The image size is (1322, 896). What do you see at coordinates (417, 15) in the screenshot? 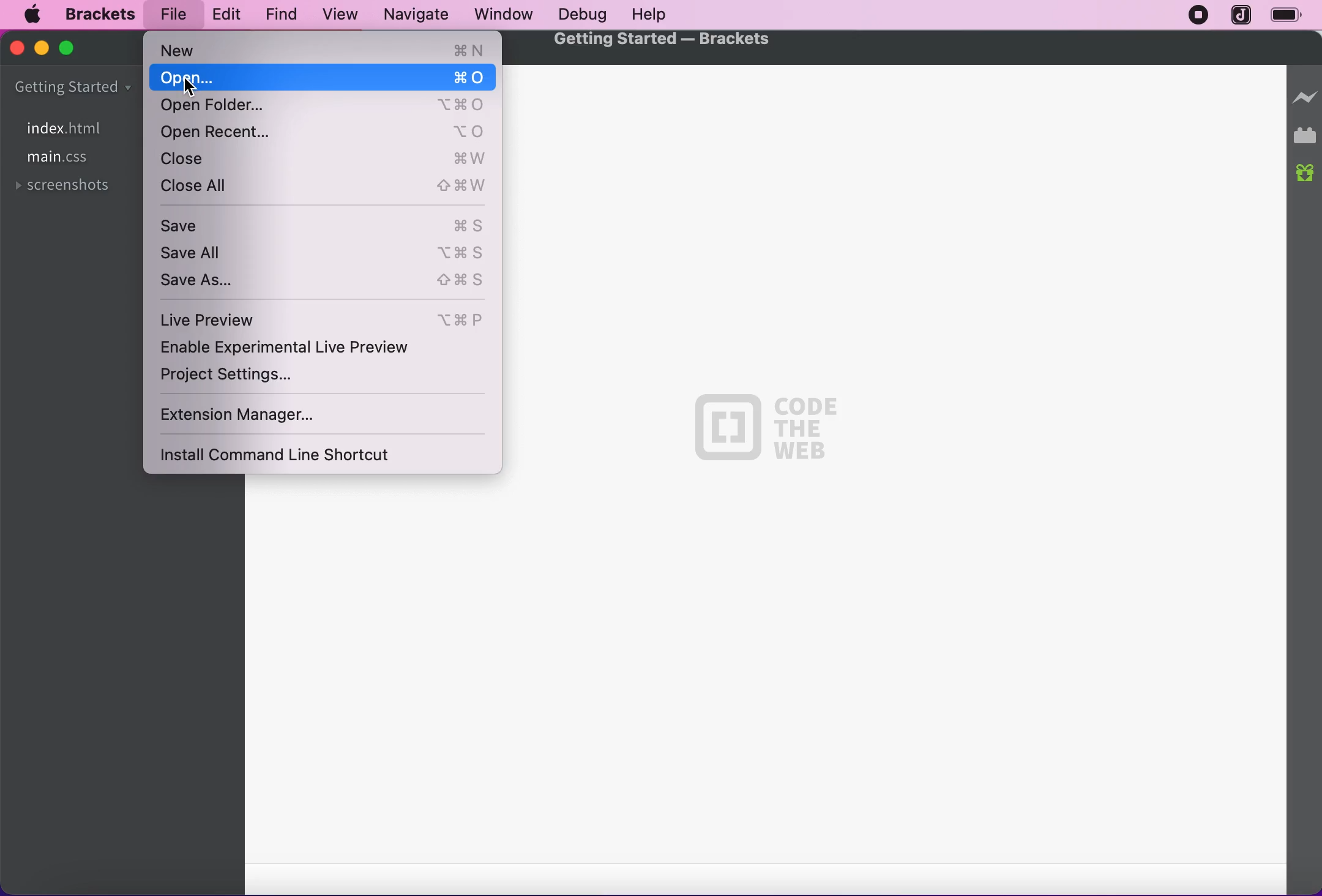
I see `navigate` at bounding box center [417, 15].